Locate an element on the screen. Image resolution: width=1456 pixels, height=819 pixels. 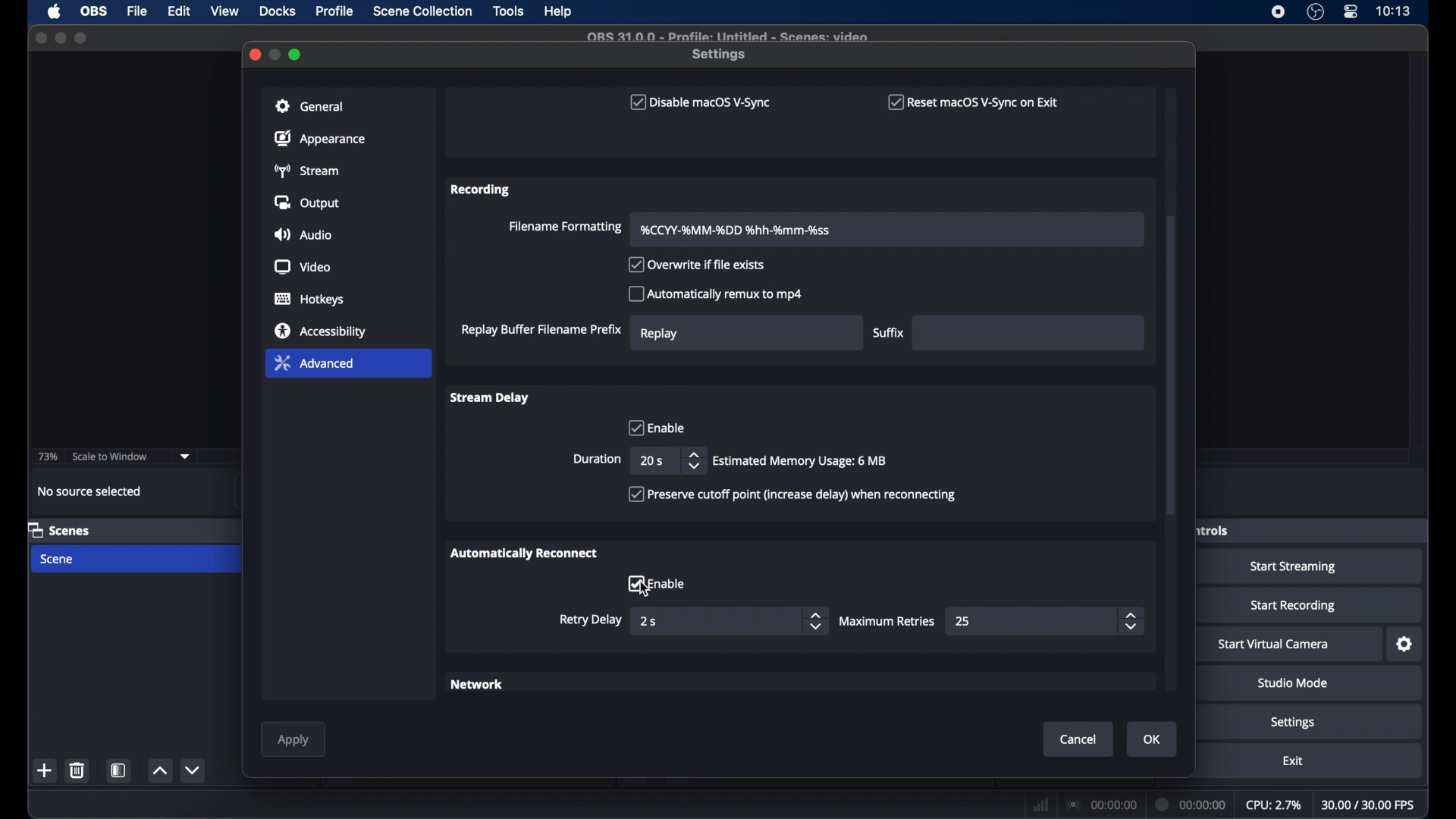
exit is located at coordinates (1294, 761).